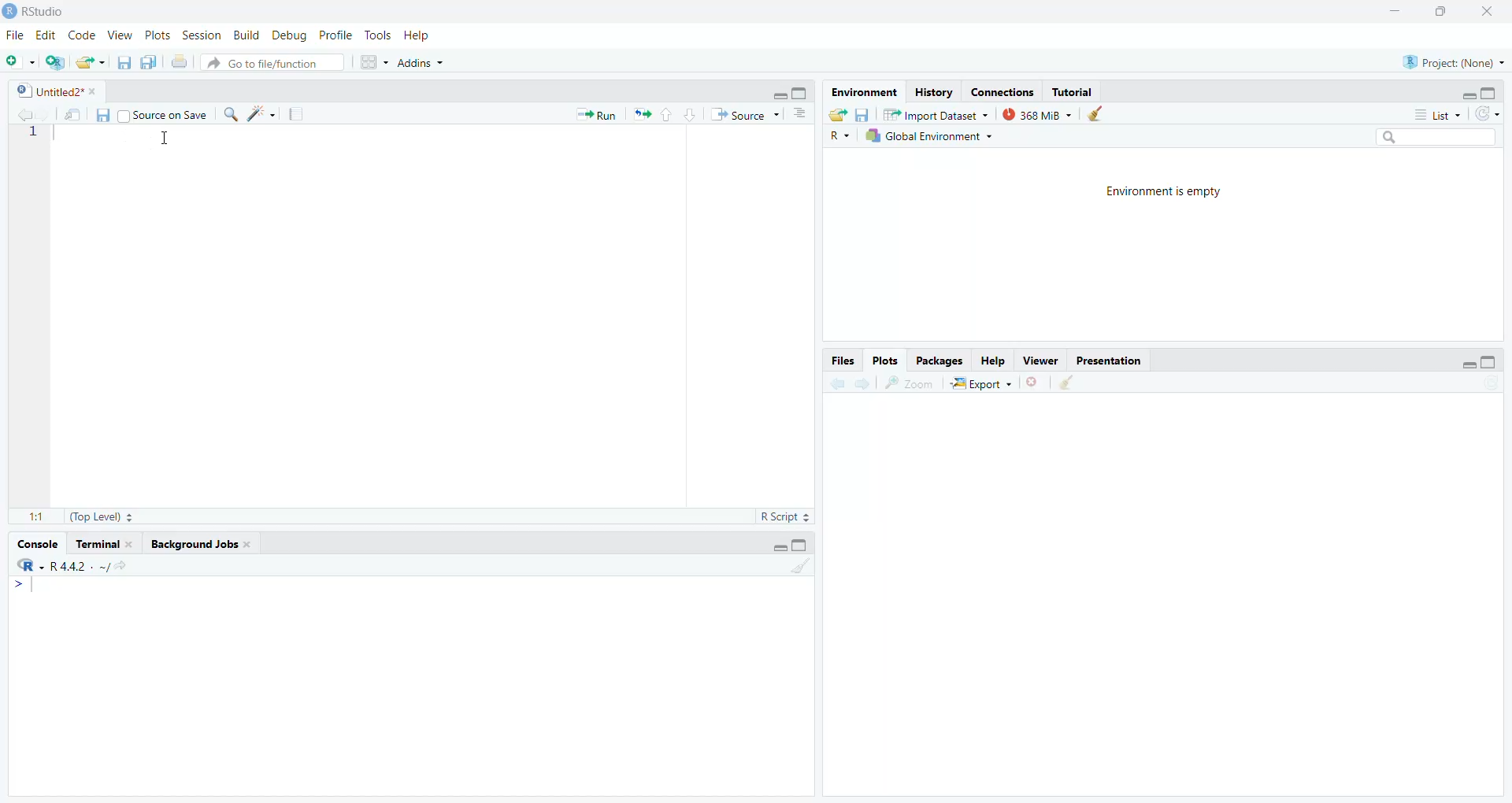  I want to click on Help, so click(423, 35).